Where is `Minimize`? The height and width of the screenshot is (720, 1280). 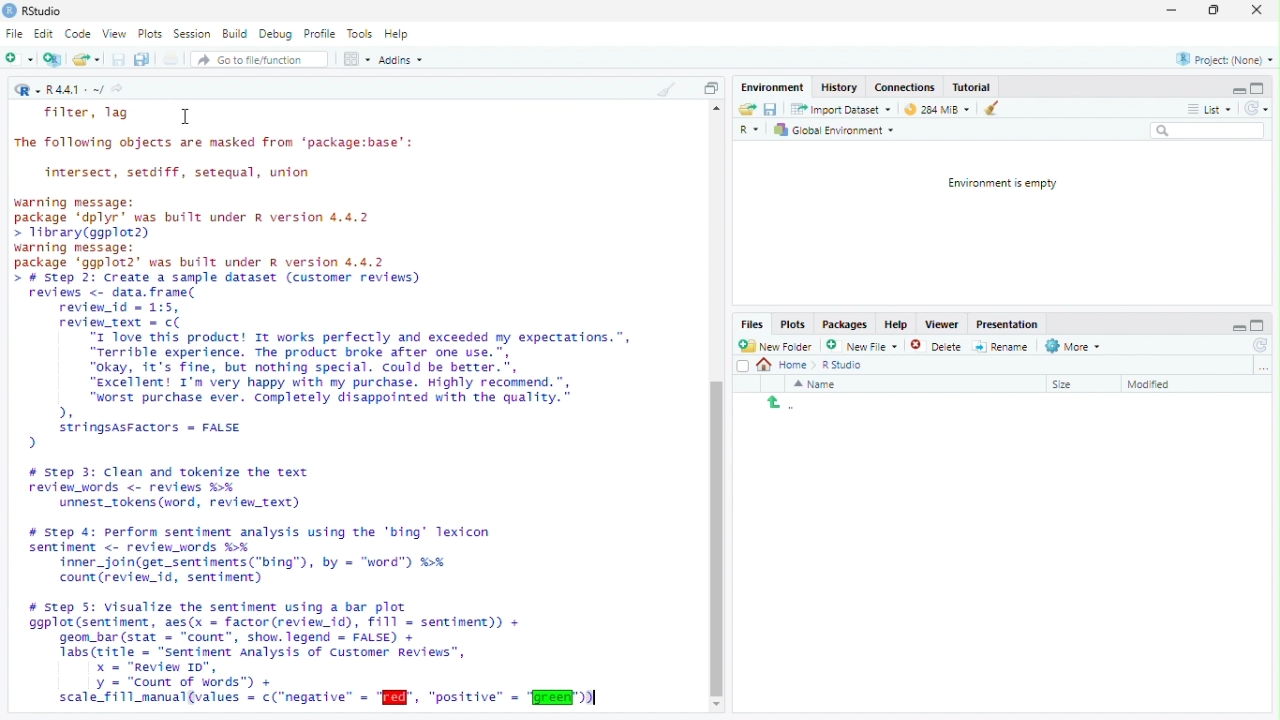 Minimize is located at coordinates (1238, 326).